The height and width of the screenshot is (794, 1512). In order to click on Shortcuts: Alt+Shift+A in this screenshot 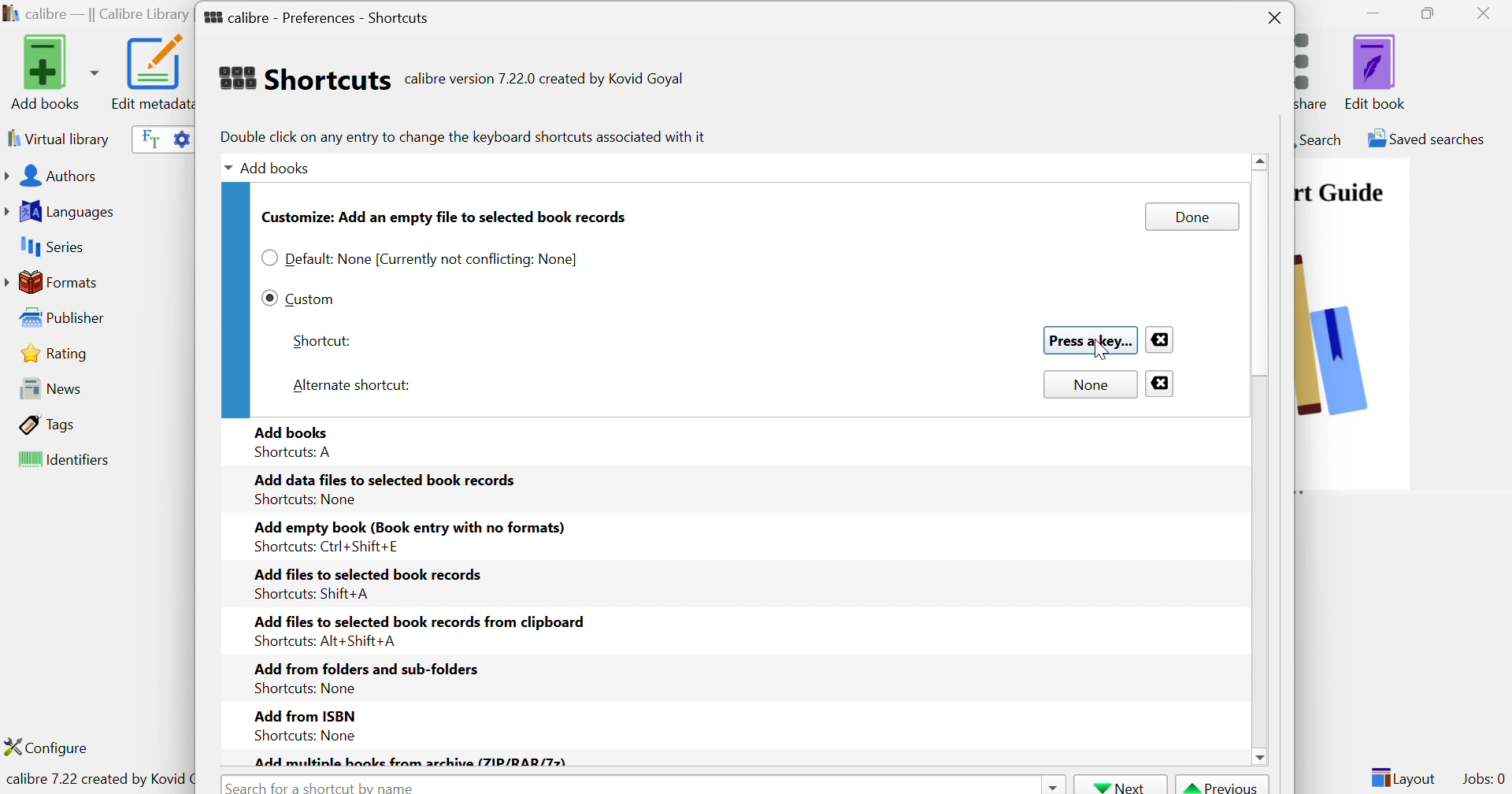, I will do `click(324, 640)`.